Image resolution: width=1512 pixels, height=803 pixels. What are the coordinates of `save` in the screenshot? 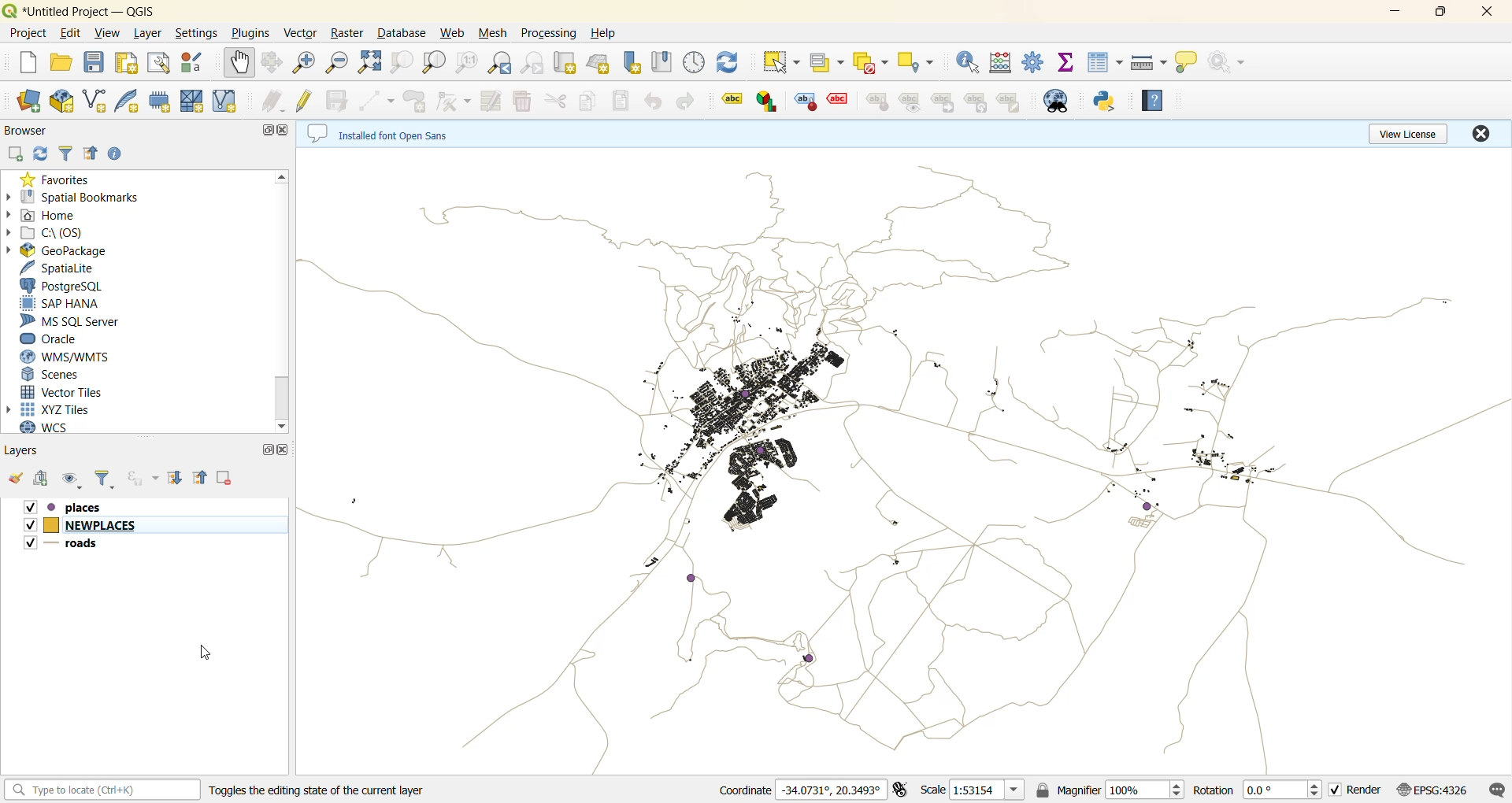 It's located at (94, 65).